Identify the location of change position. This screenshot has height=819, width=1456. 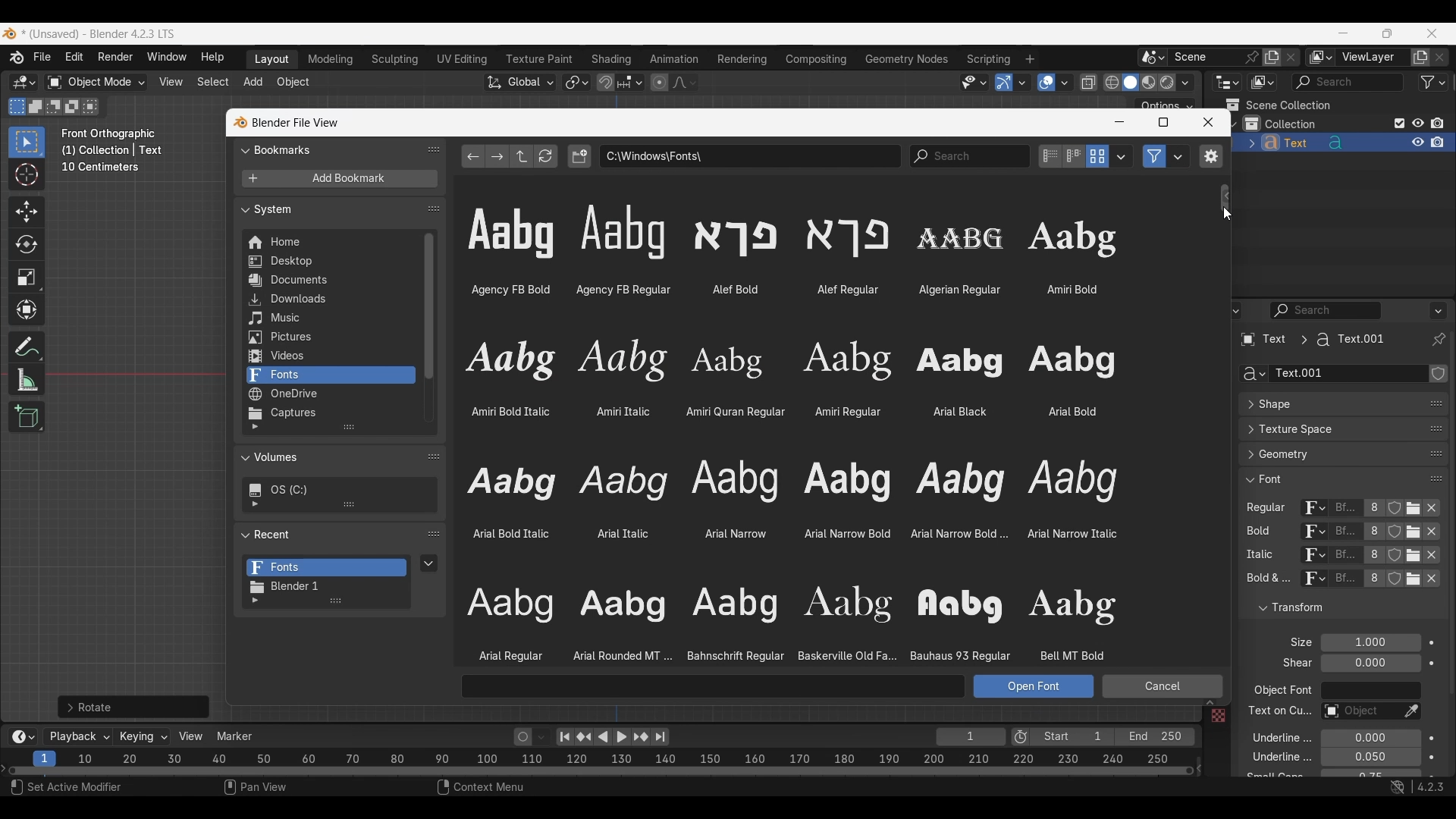
(1437, 427).